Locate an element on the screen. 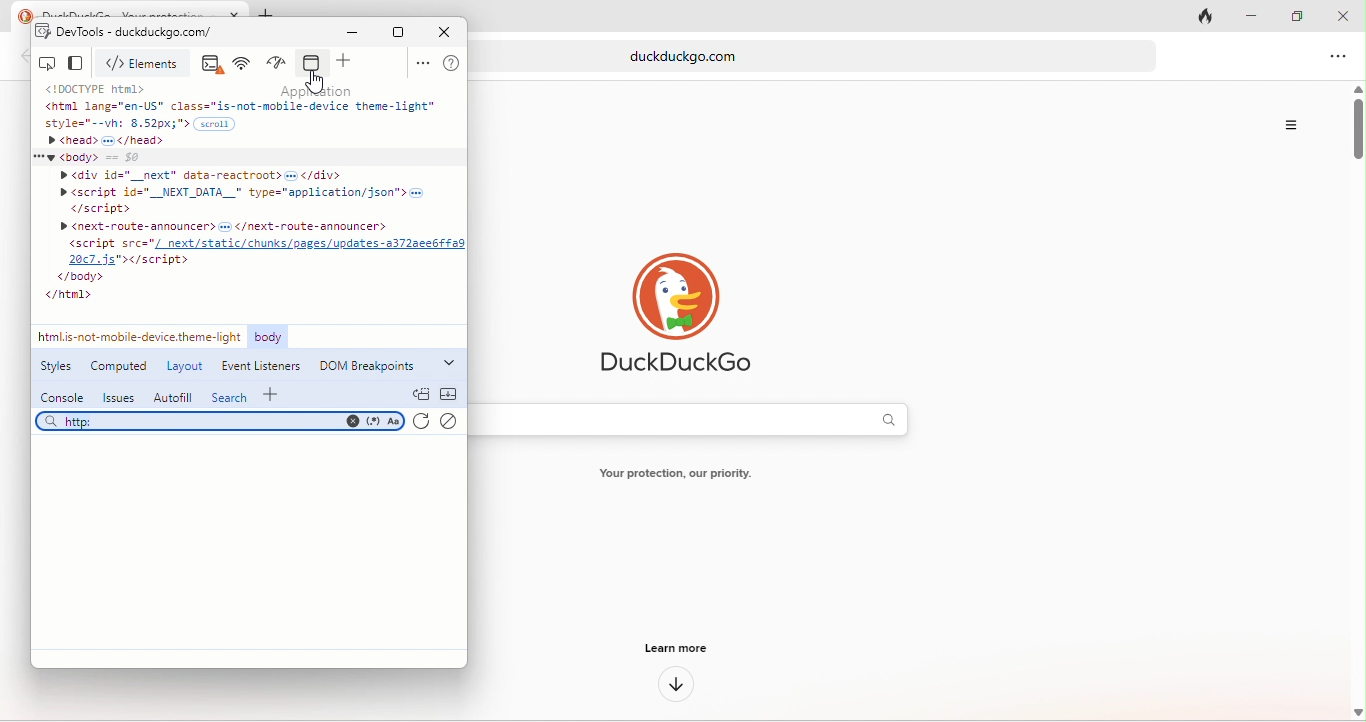 This screenshot has width=1366, height=722. web link is located at coordinates (822, 55).